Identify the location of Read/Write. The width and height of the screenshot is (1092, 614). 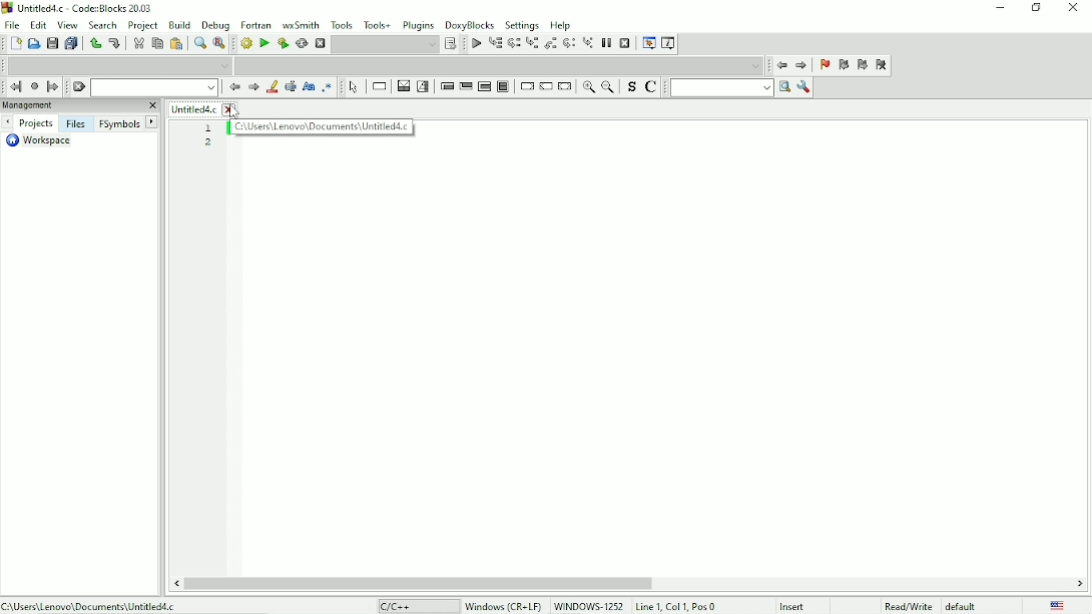
(907, 606).